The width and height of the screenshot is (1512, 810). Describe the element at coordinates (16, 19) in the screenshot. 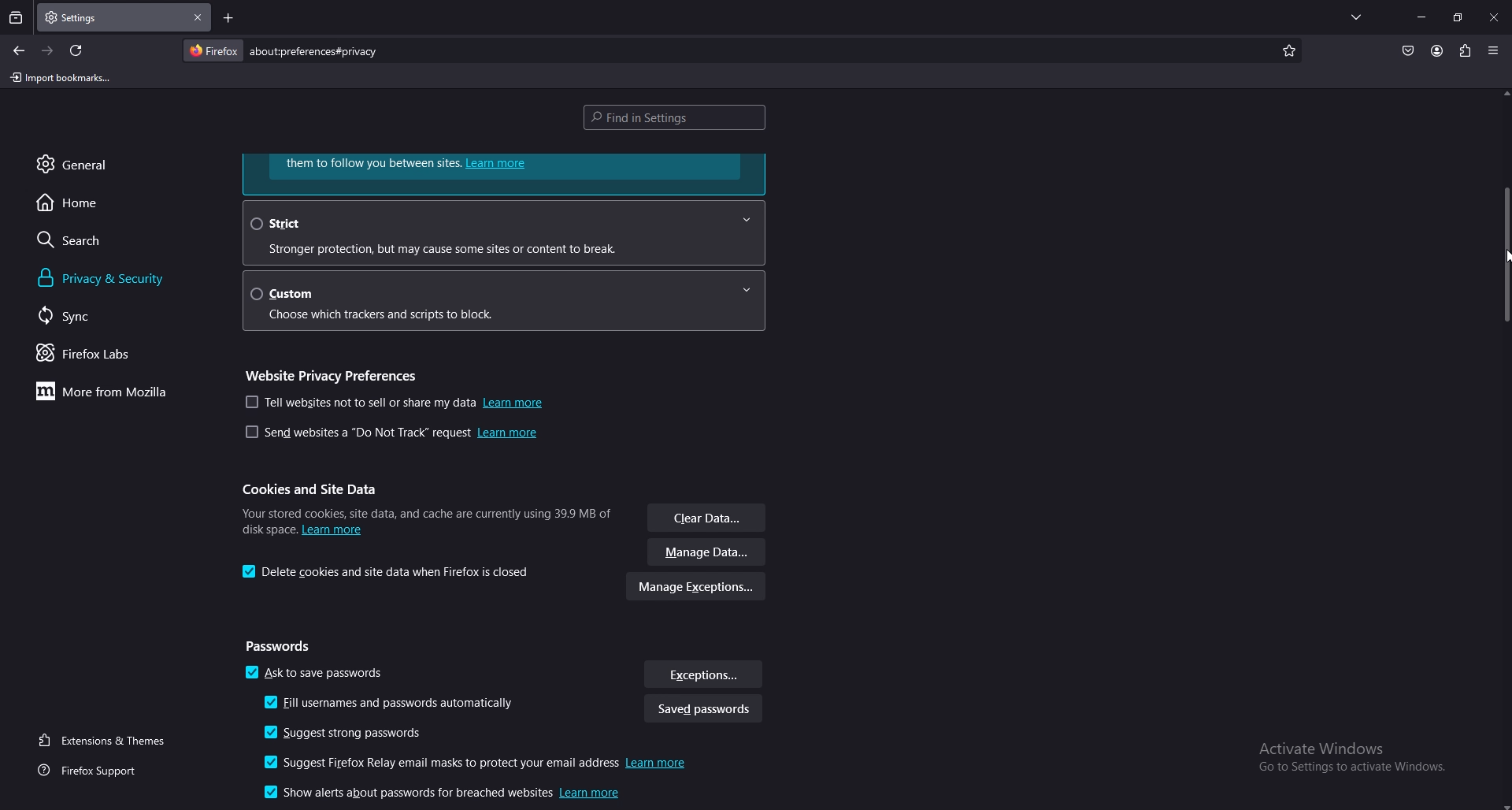

I see `recent browsing` at that location.